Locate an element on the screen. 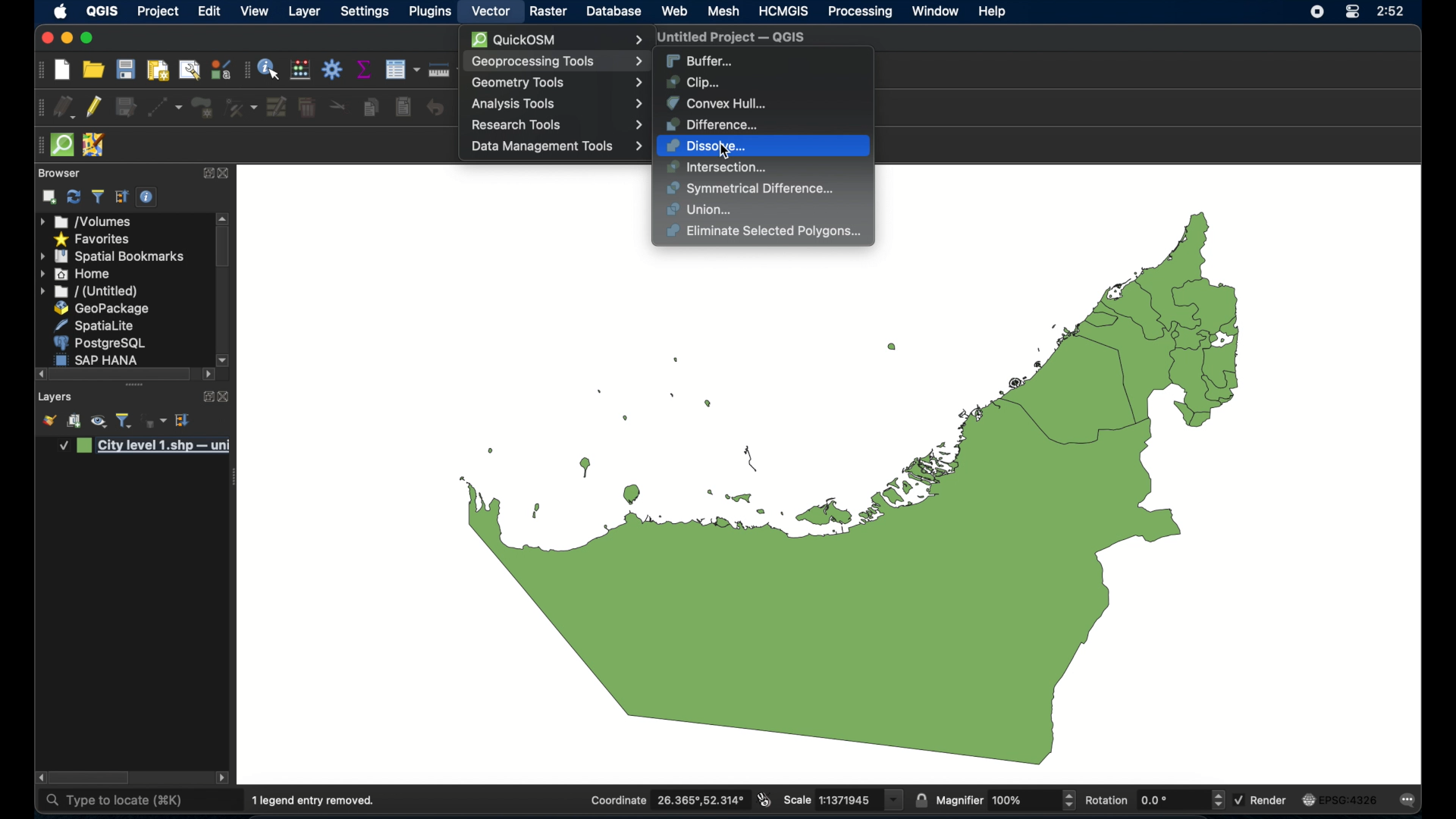 This screenshot has width=1456, height=819. research tools menu is located at coordinates (557, 124).